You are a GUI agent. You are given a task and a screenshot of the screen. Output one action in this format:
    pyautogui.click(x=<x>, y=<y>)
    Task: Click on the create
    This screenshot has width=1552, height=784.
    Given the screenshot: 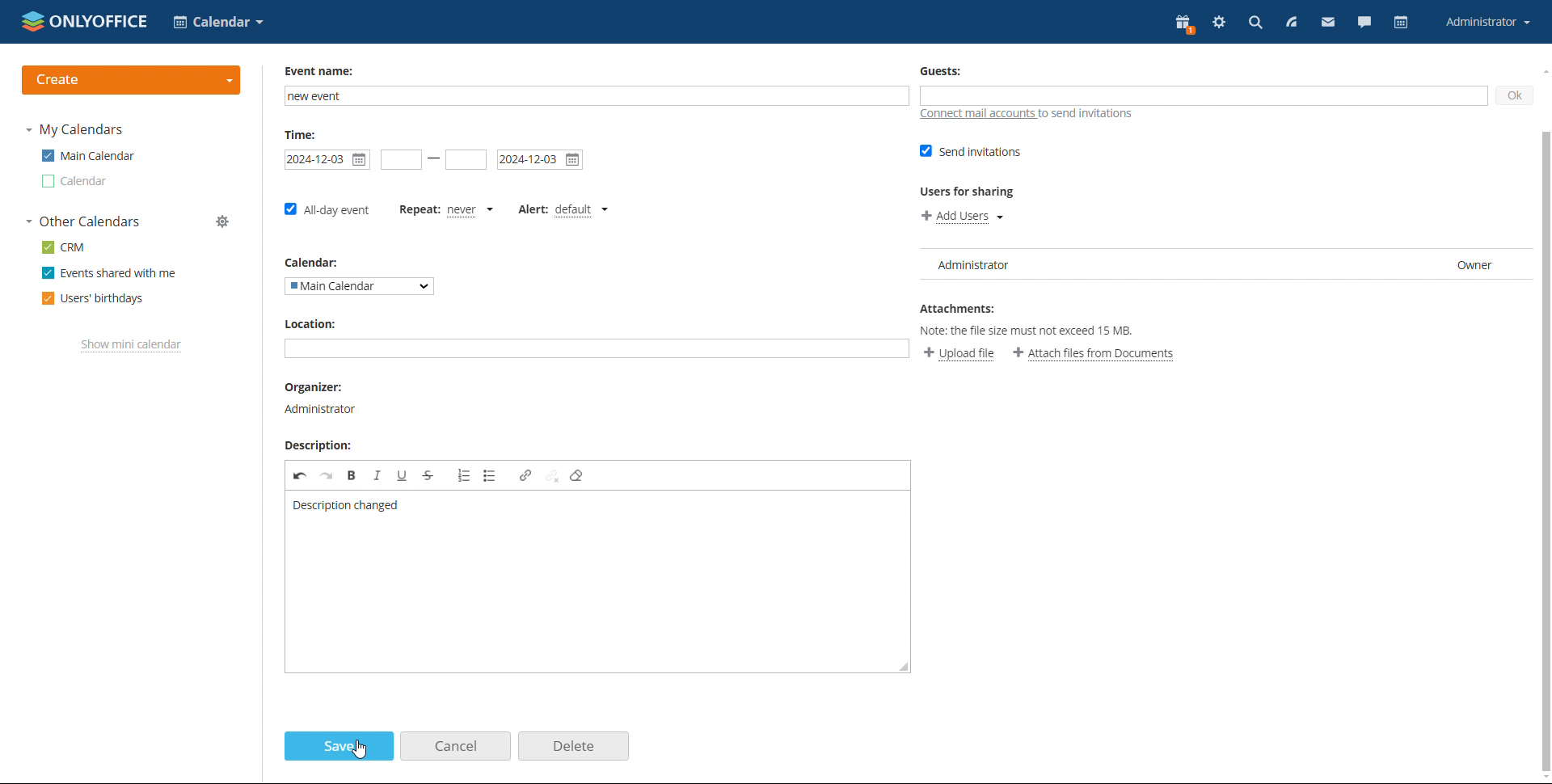 What is the action you would take?
    pyautogui.click(x=132, y=80)
    